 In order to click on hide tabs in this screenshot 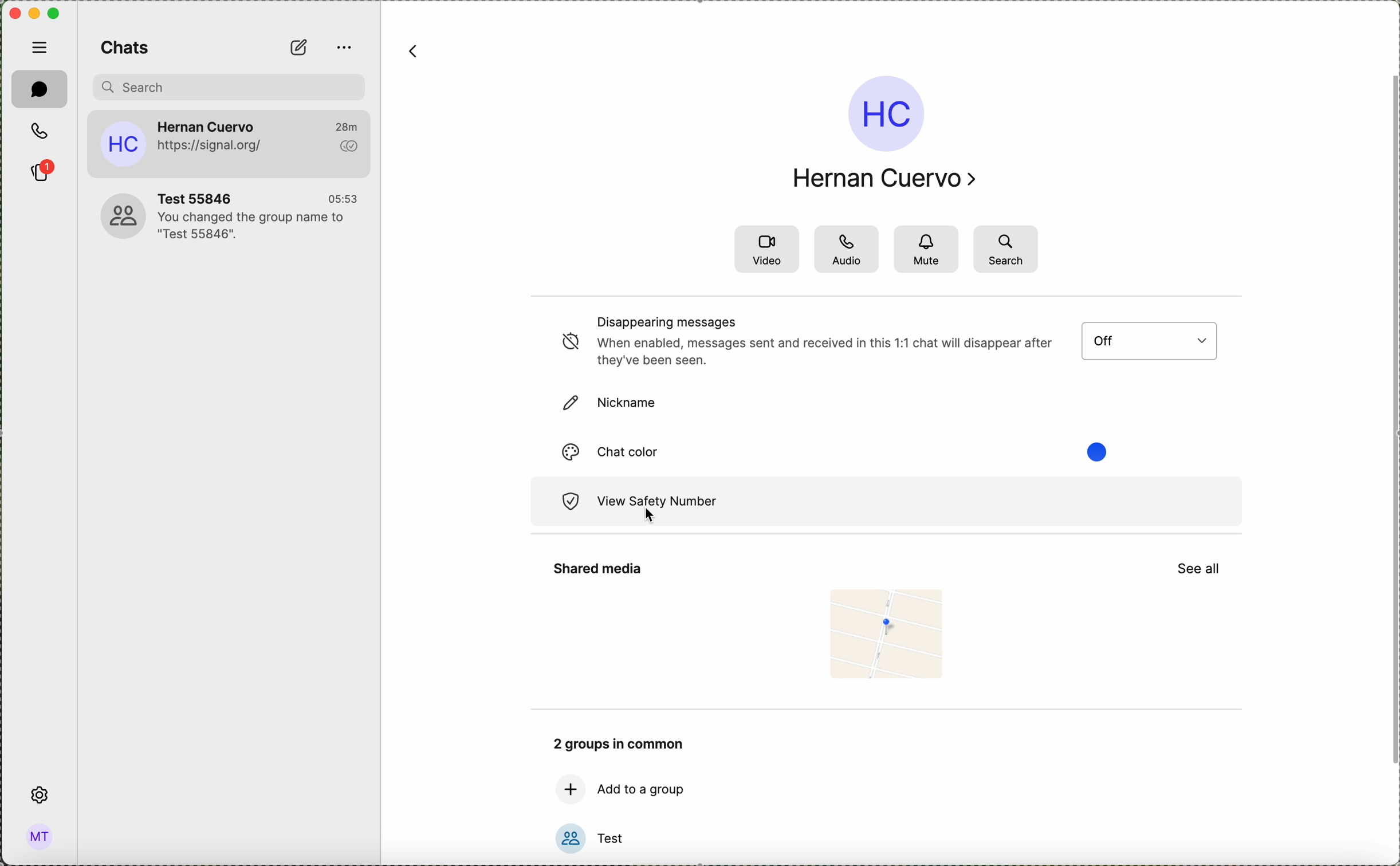, I will do `click(38, 48)`.